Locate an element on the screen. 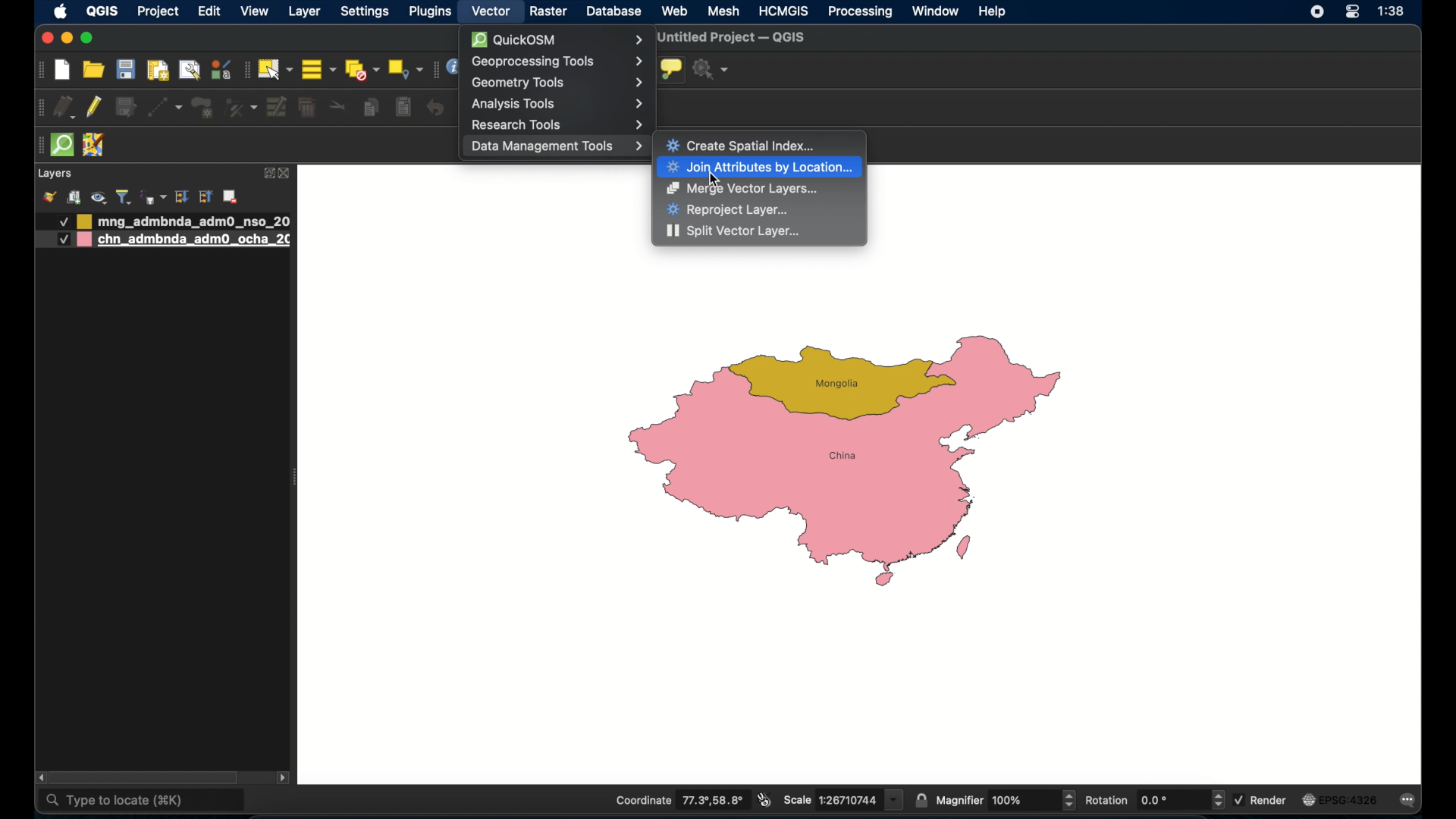 The width and height of the screenshot is (1456, 819). time is located at coordinates (1394, 12).